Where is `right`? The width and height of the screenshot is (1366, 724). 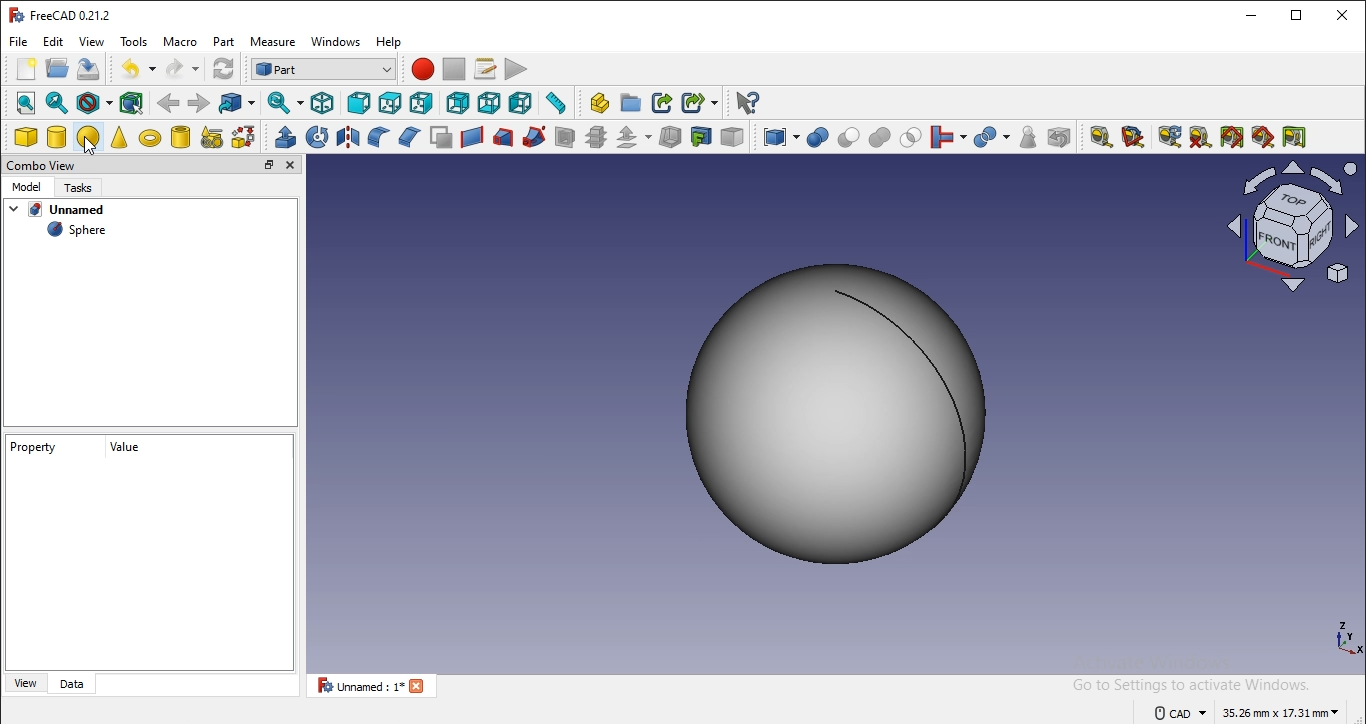
right is located at coordinates (424, 104).